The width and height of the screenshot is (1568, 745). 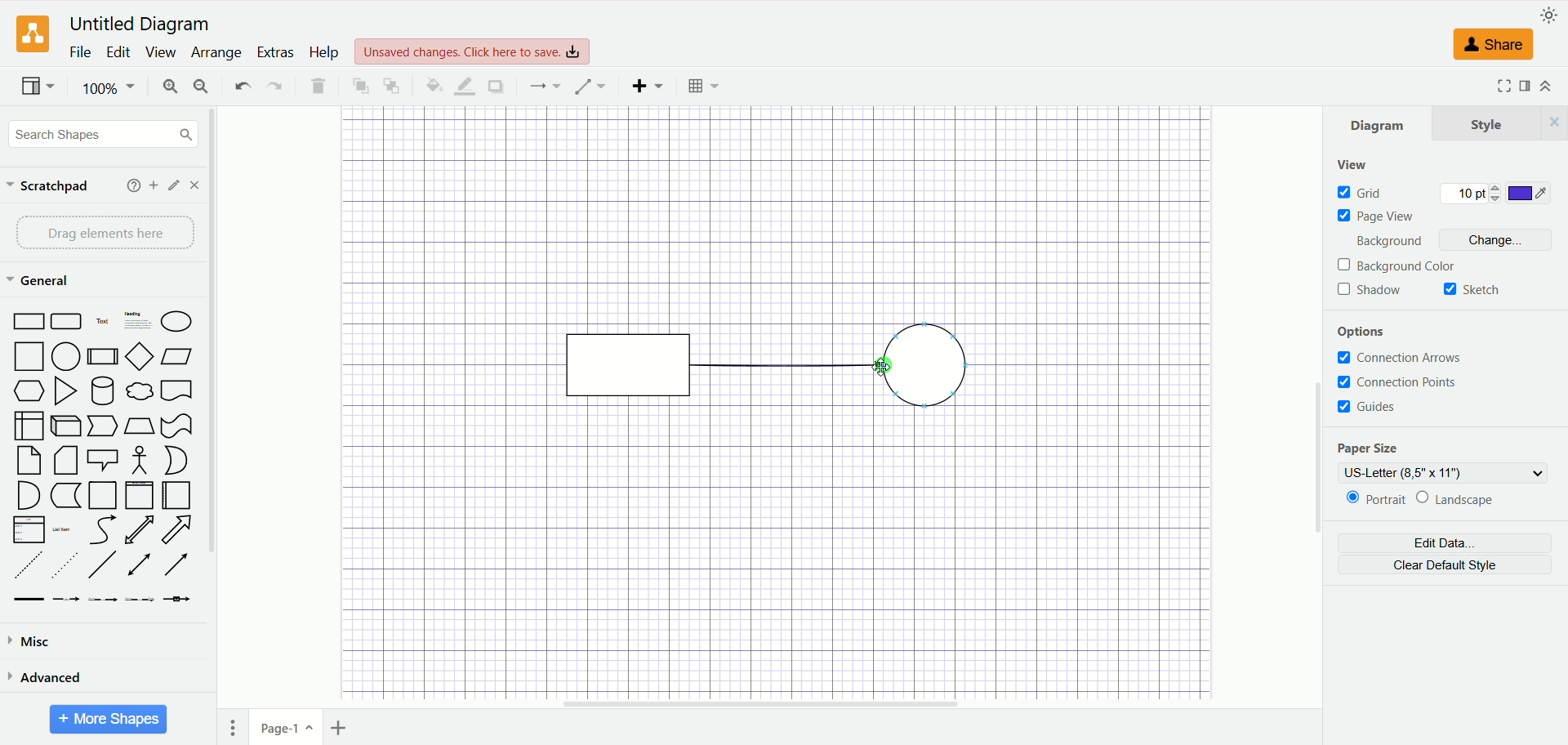 What do you see at coordinates (46, 185) in the screenshot?
I see `scratchpad` at bounding box center [46, 185].